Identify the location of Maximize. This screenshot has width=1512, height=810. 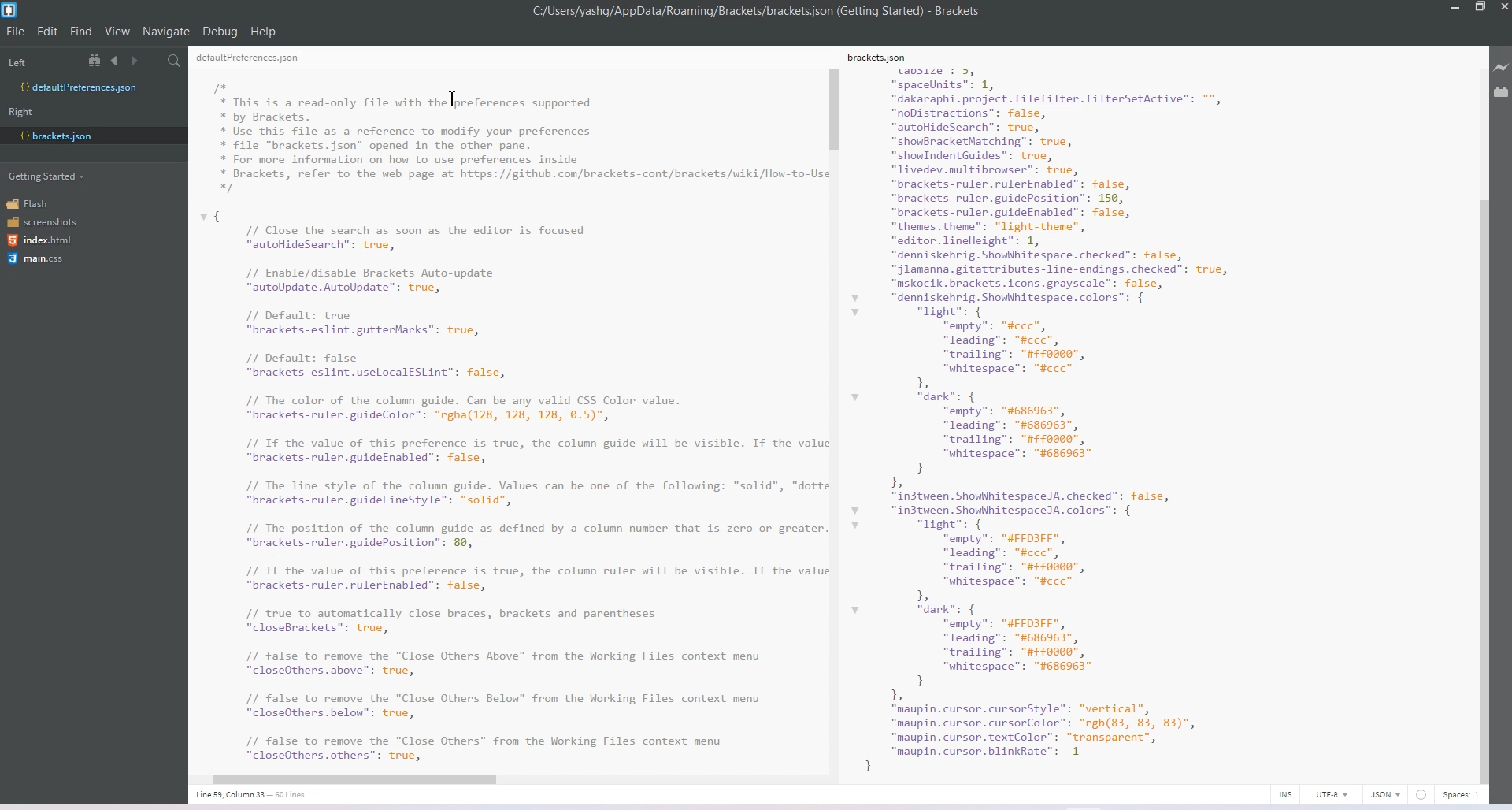
(1480, 8).